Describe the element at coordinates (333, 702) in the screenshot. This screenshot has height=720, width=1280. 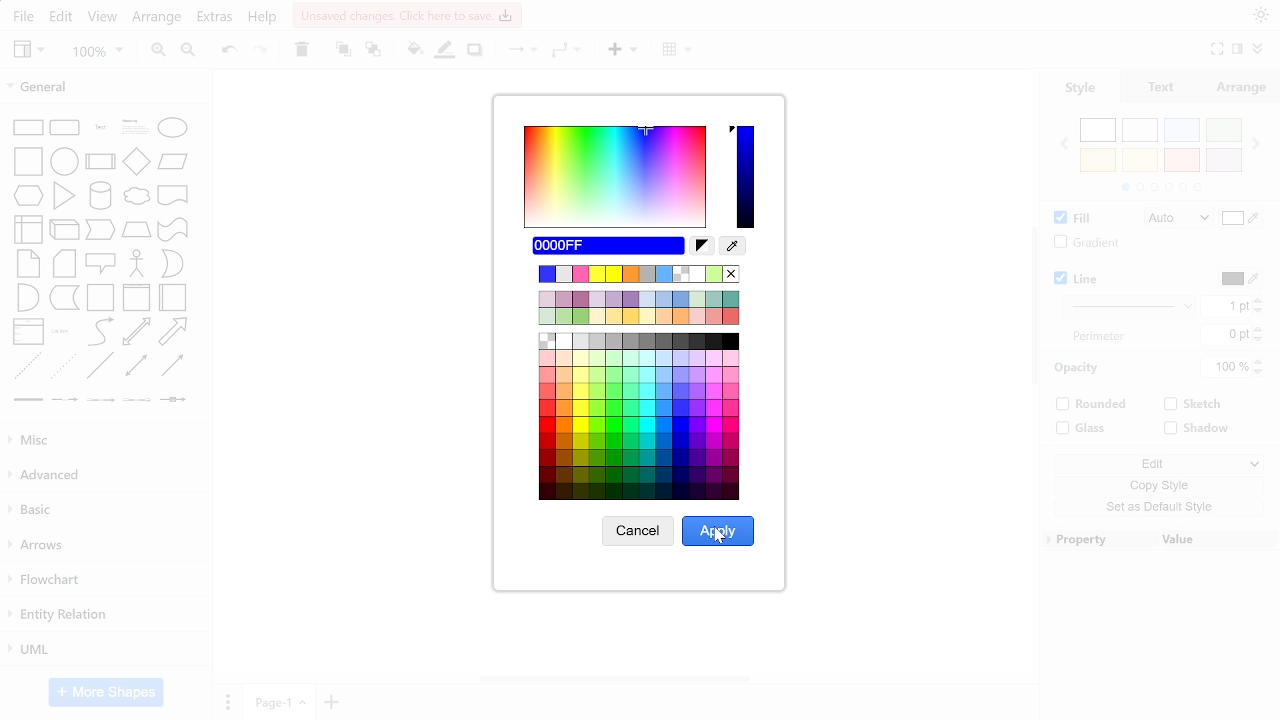
I see `insert page` at that location.